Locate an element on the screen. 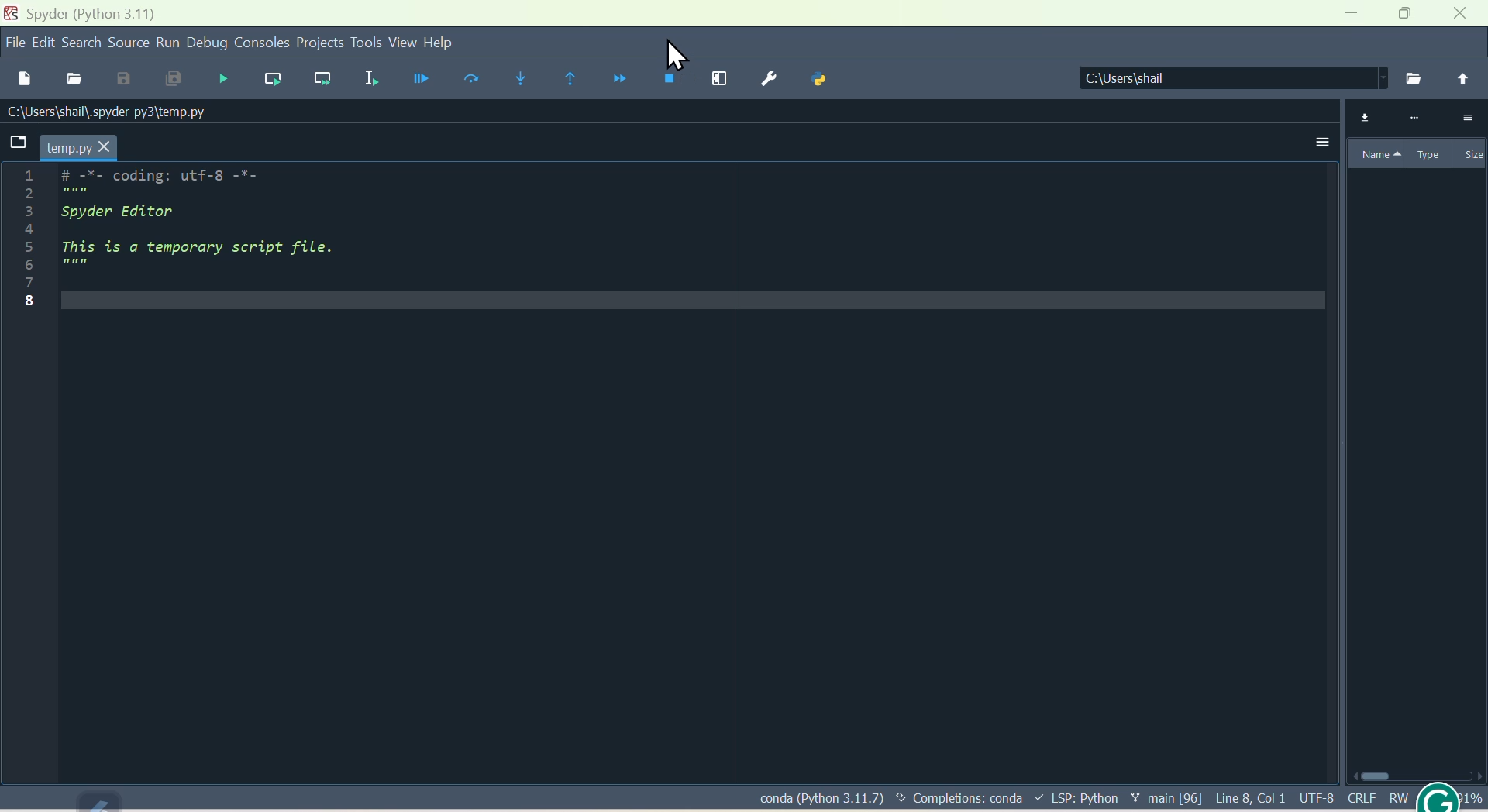  Search is located at coordinates (83, 41).